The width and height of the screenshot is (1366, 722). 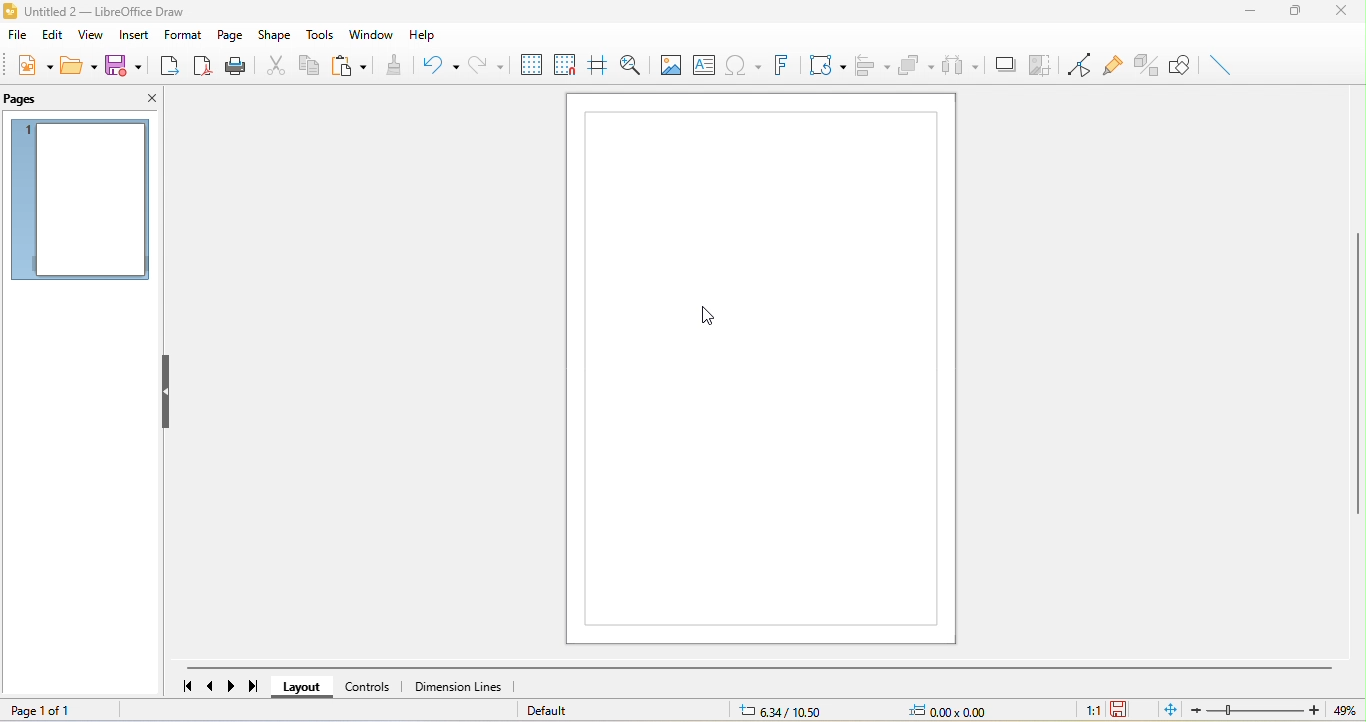 I want to click on 1:1, so click(x=1086, y=710).